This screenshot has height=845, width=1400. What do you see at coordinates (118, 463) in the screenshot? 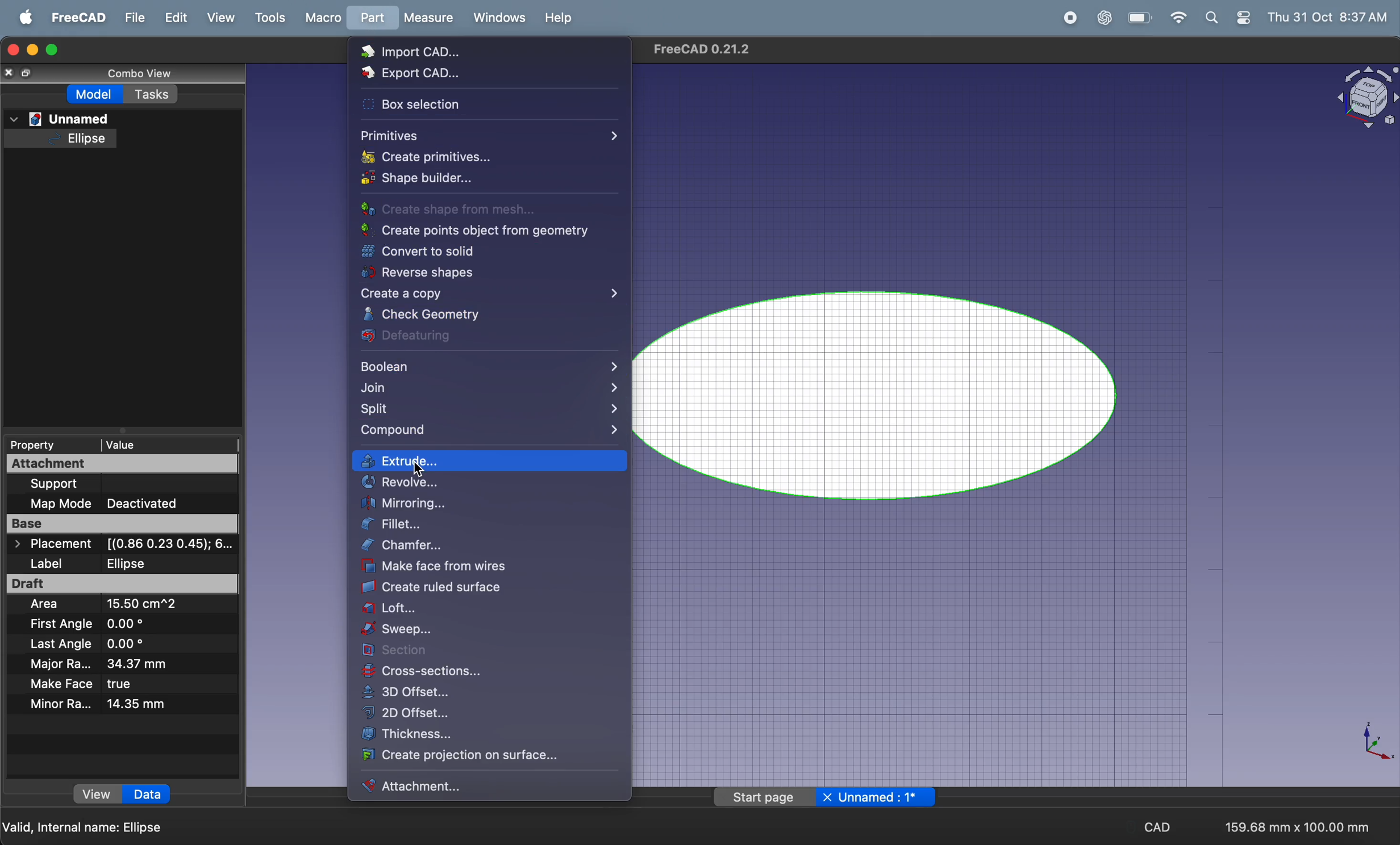
I see `attachment` at bounding box center [118, 463].